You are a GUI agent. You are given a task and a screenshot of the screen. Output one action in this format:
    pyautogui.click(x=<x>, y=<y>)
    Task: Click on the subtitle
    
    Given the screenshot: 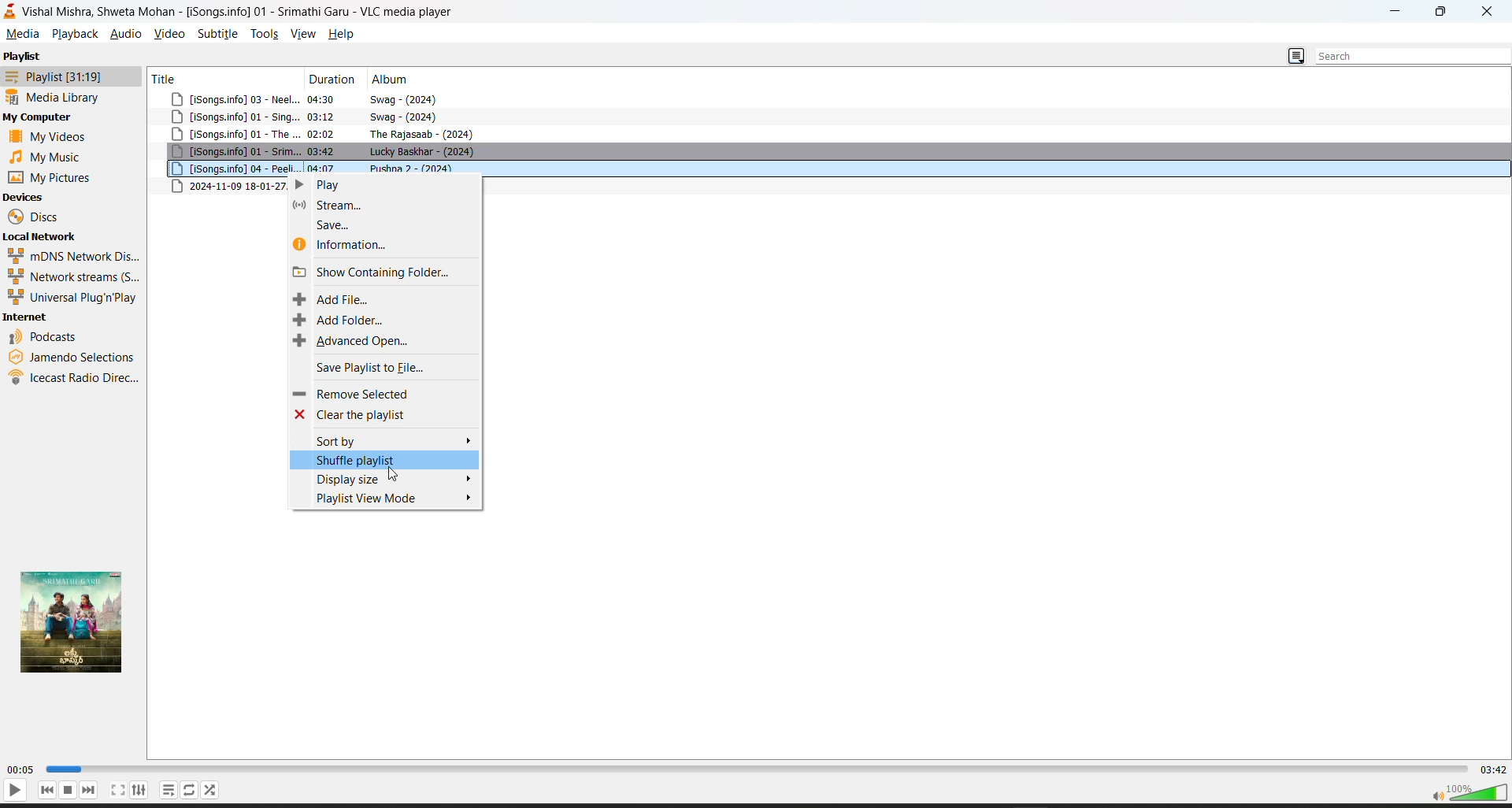 What is the action you would take?
    pyautogui.click(x=218, y=35)
    